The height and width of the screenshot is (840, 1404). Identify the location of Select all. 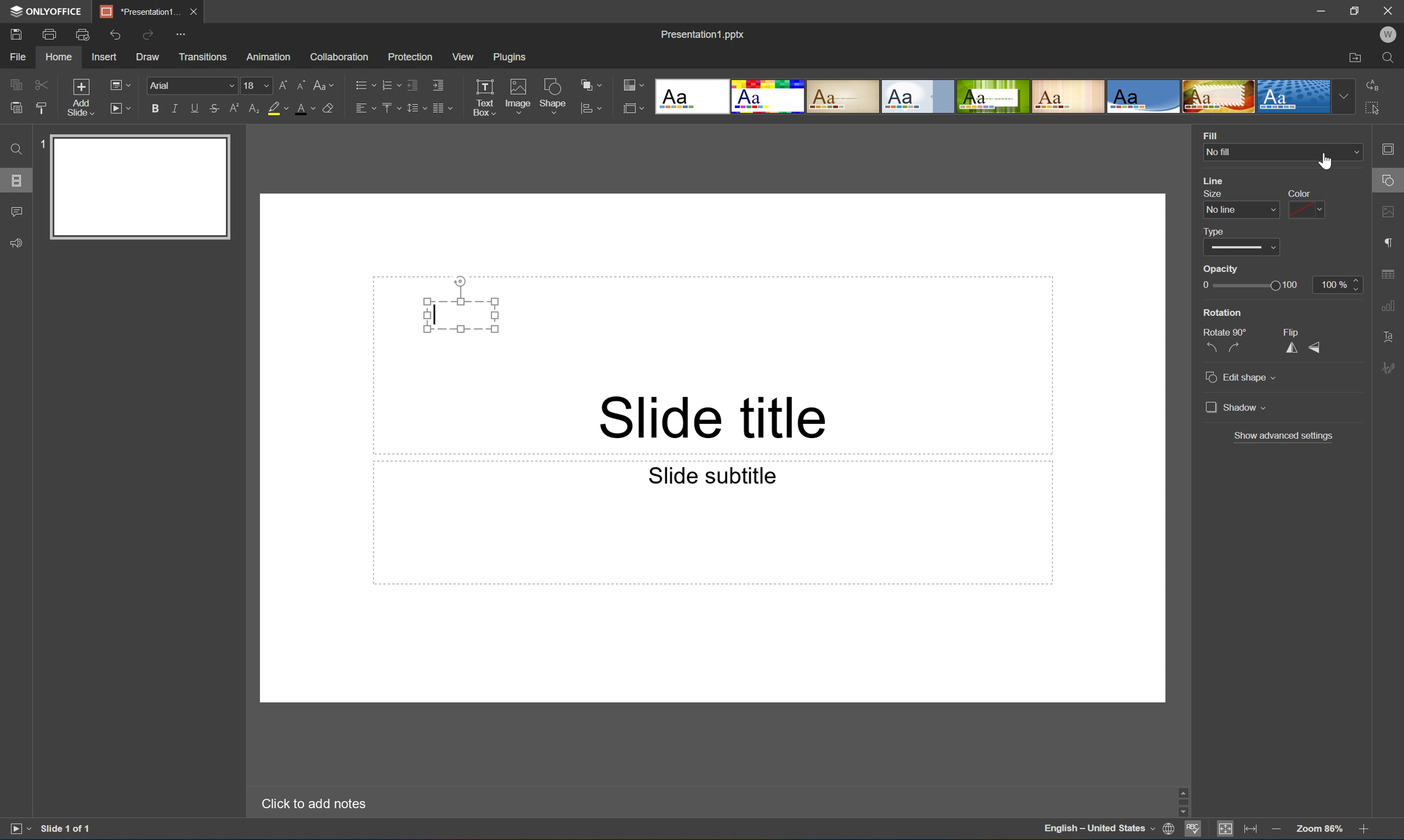
(1376, 112).